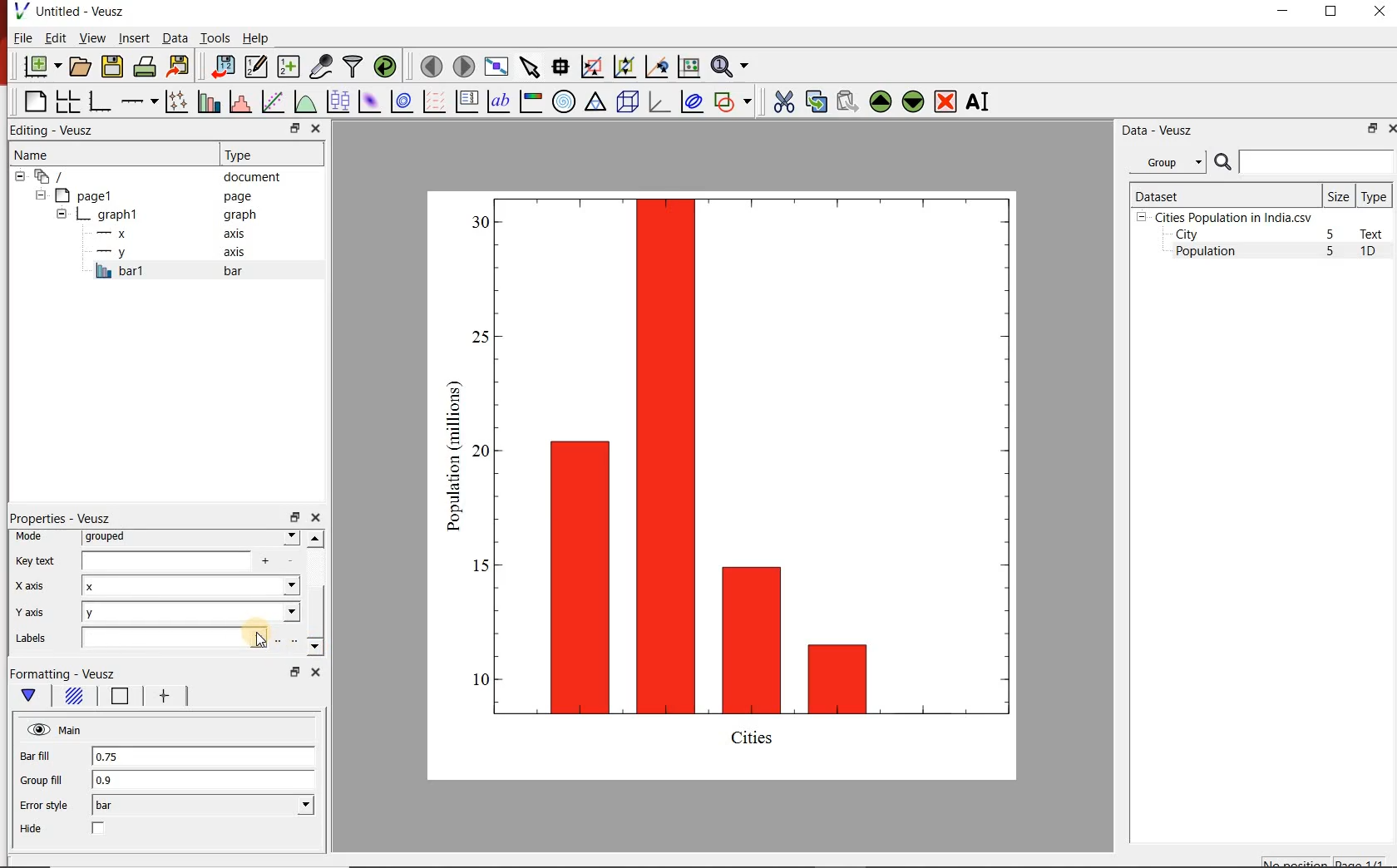 The width and height of the screenshot is (1397, 868). What do you see at coordinates (238, 101) in the screenshot?
I see `histogram of a dataset` at bounding box center [238, 101].